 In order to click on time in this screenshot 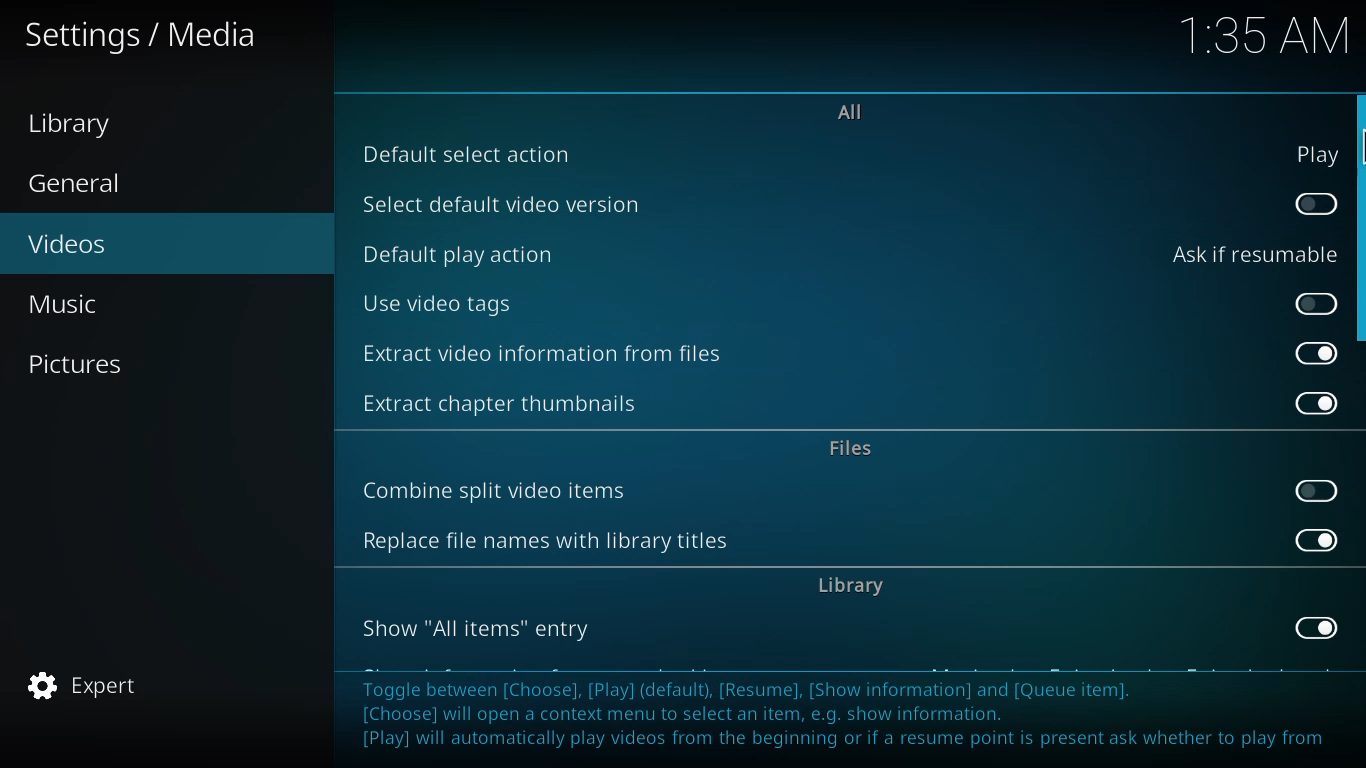, I will do `click(1264, 33)`.